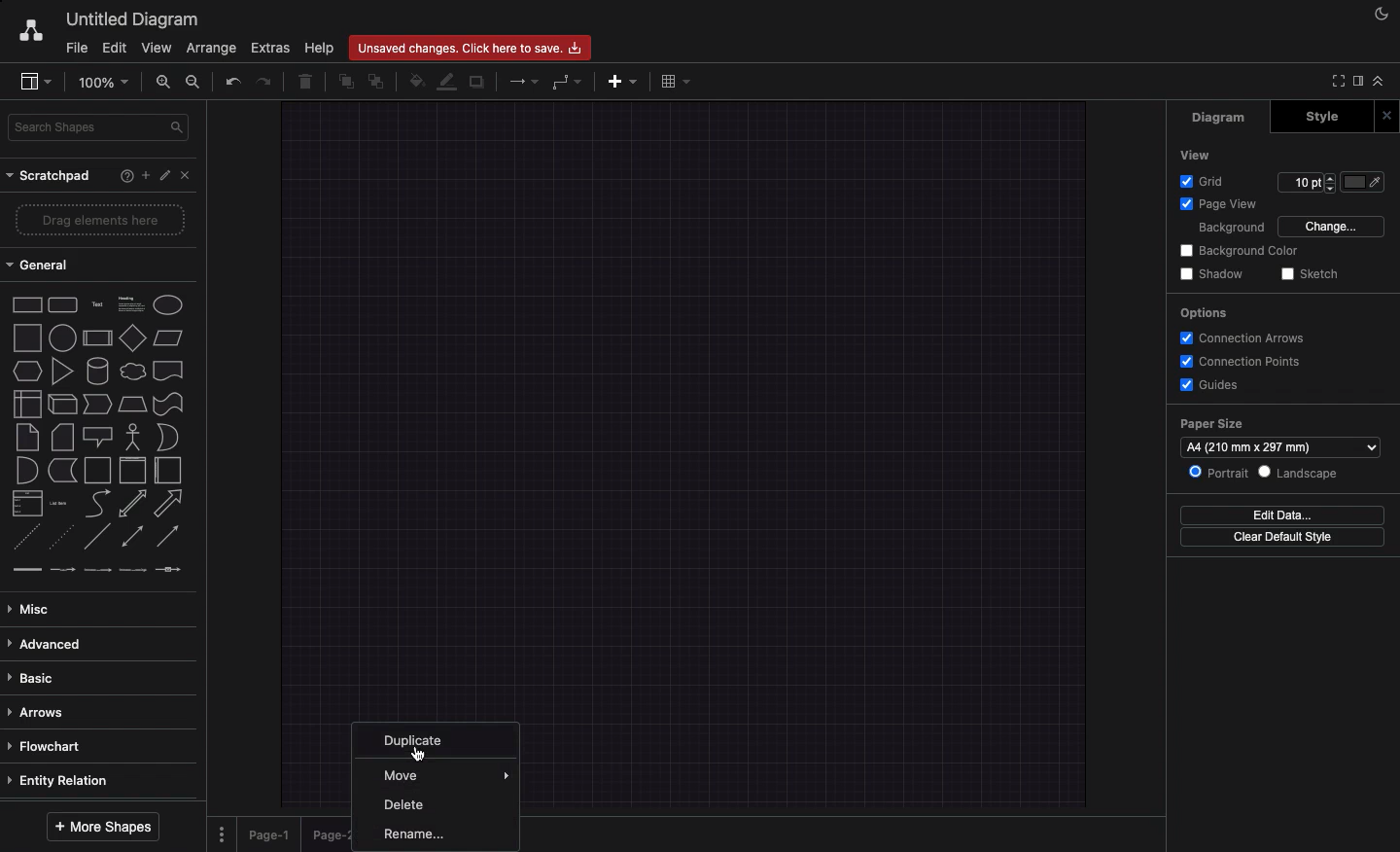 Image resolution: width=1400 pixels, height=852 pixels. What do you see at coordinates (1284, 446) in the screenshot?
I see `a4 (210 mmx297 mm) ` at bounding box center [1284, 446].